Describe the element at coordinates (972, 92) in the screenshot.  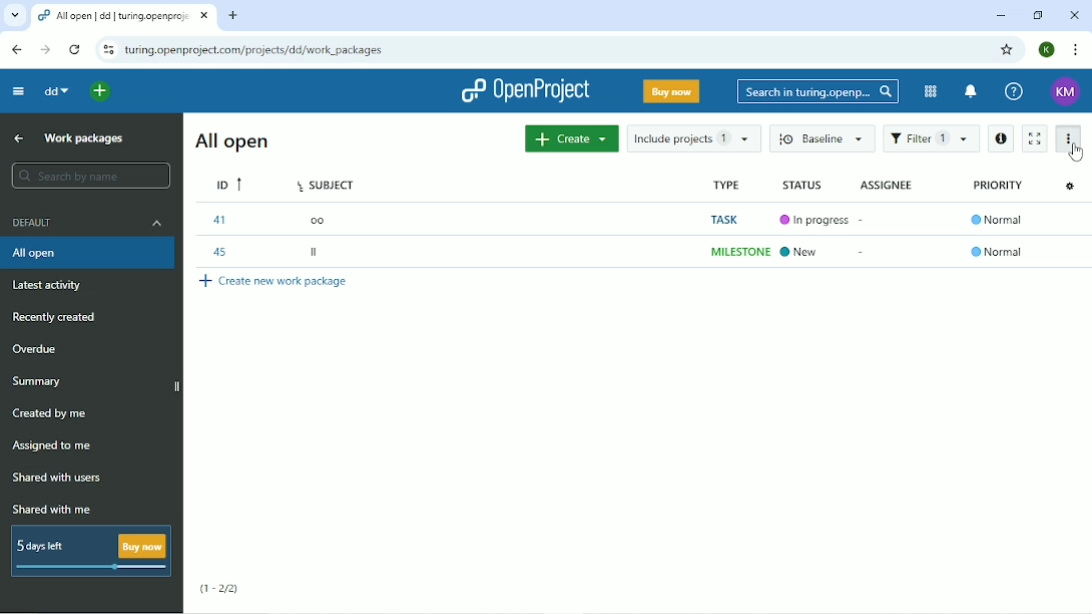
I see `notification` at that location.